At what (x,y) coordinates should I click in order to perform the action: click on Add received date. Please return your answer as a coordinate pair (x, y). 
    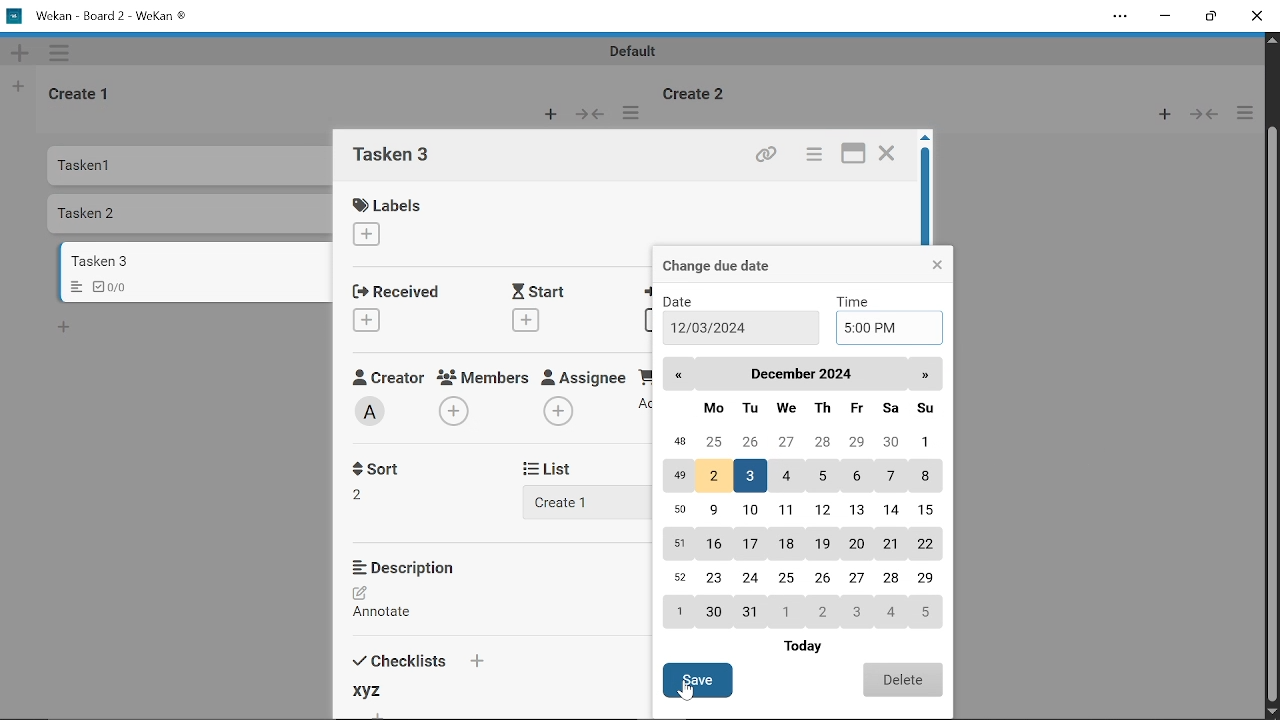
    Looking at the image, I should click on (368, 319).